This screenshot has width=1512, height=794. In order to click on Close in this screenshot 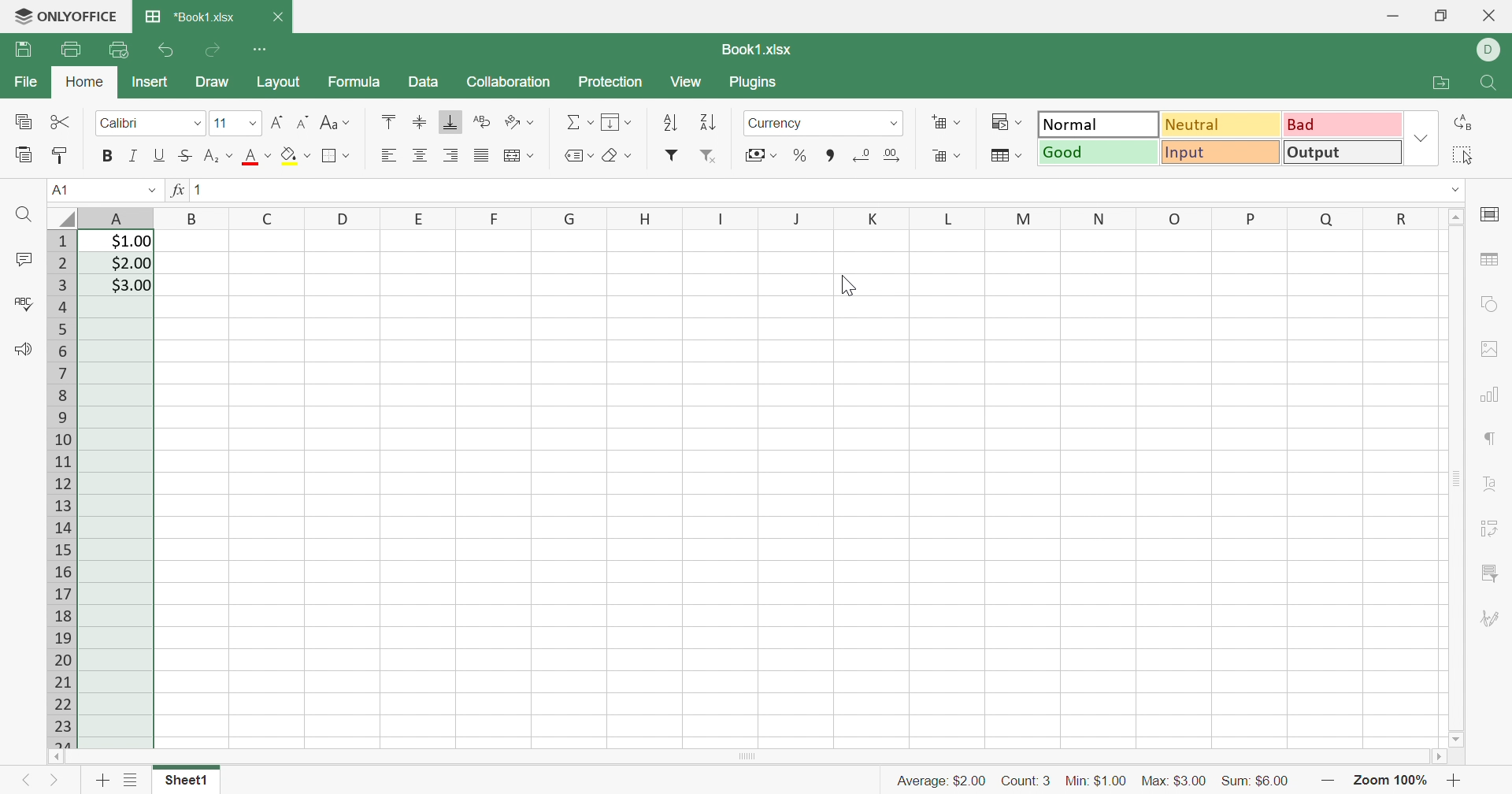, I will do `click(1491, 15)`.